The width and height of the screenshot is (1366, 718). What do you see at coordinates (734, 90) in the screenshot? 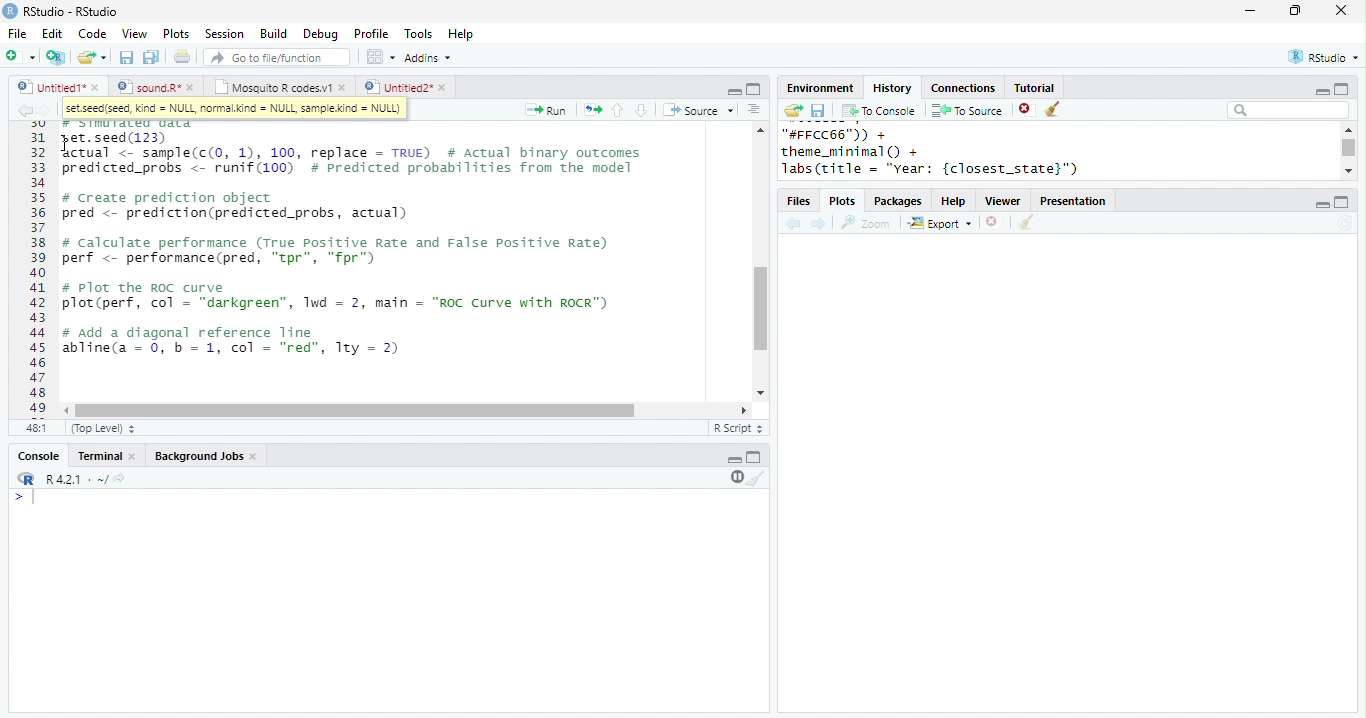
I see `minimize` at bounding box center [734, 90].